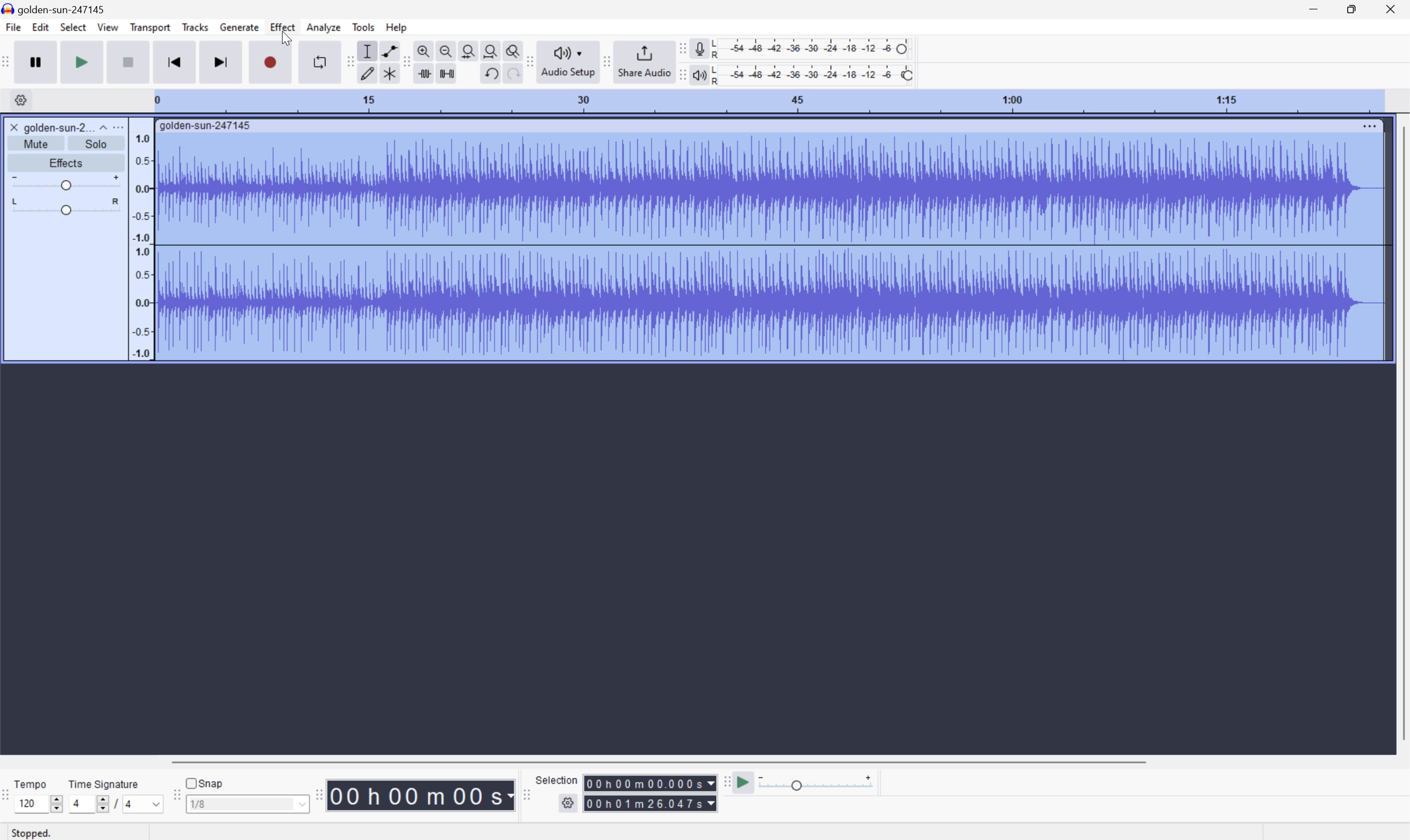 This screenshot has width=1410, height=840. What do you see at coordinates (83, 61) in the screenshot?
I see `Play` at bounding box center [83, 61].